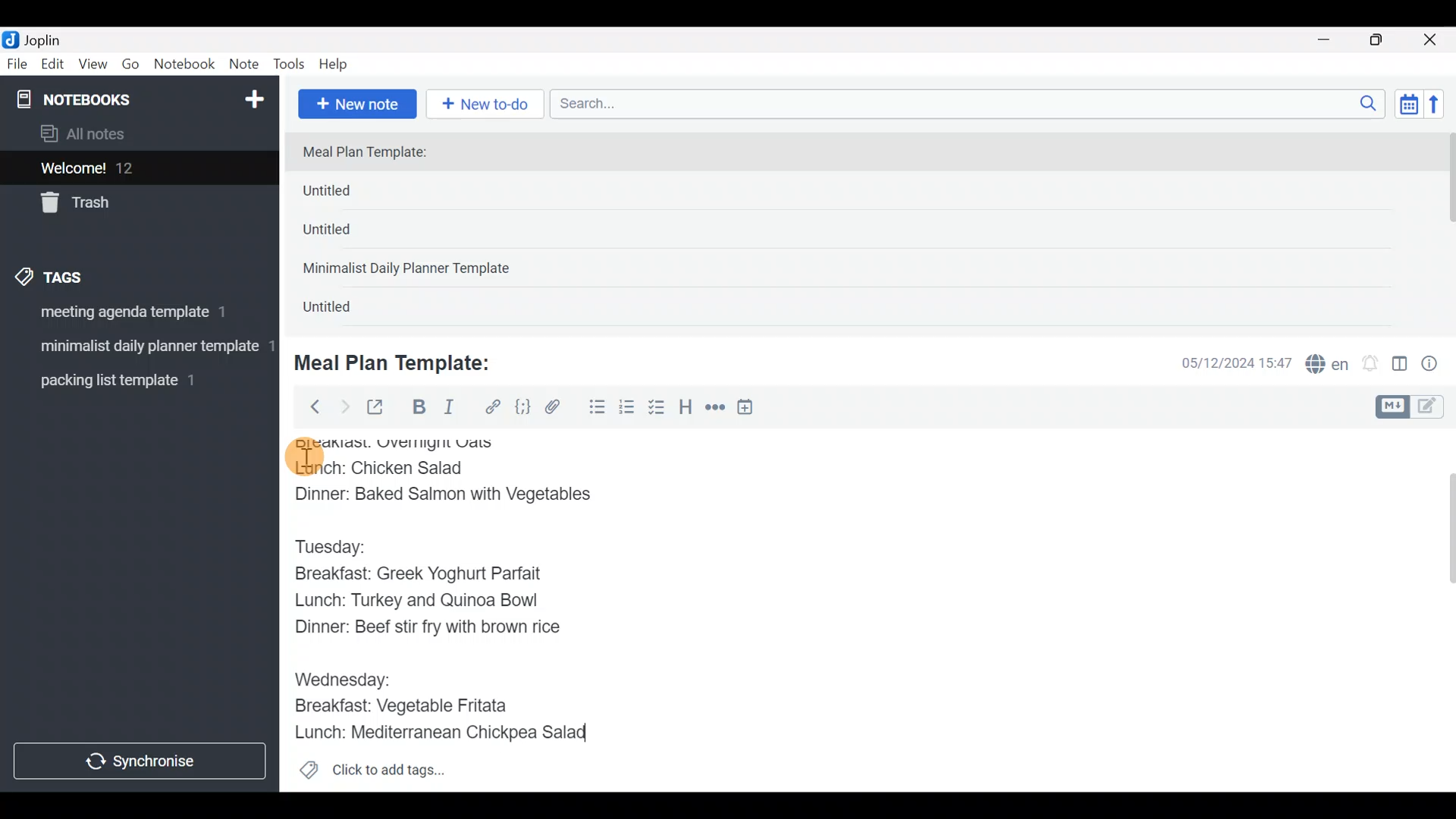 The height and width of the screenshot is (819, 1456). What do you see at coordinates (421, 600) in the screenshot?
I see `Lunch: Turkey and Quinoa Bowl` at bounding box center [421, 600].